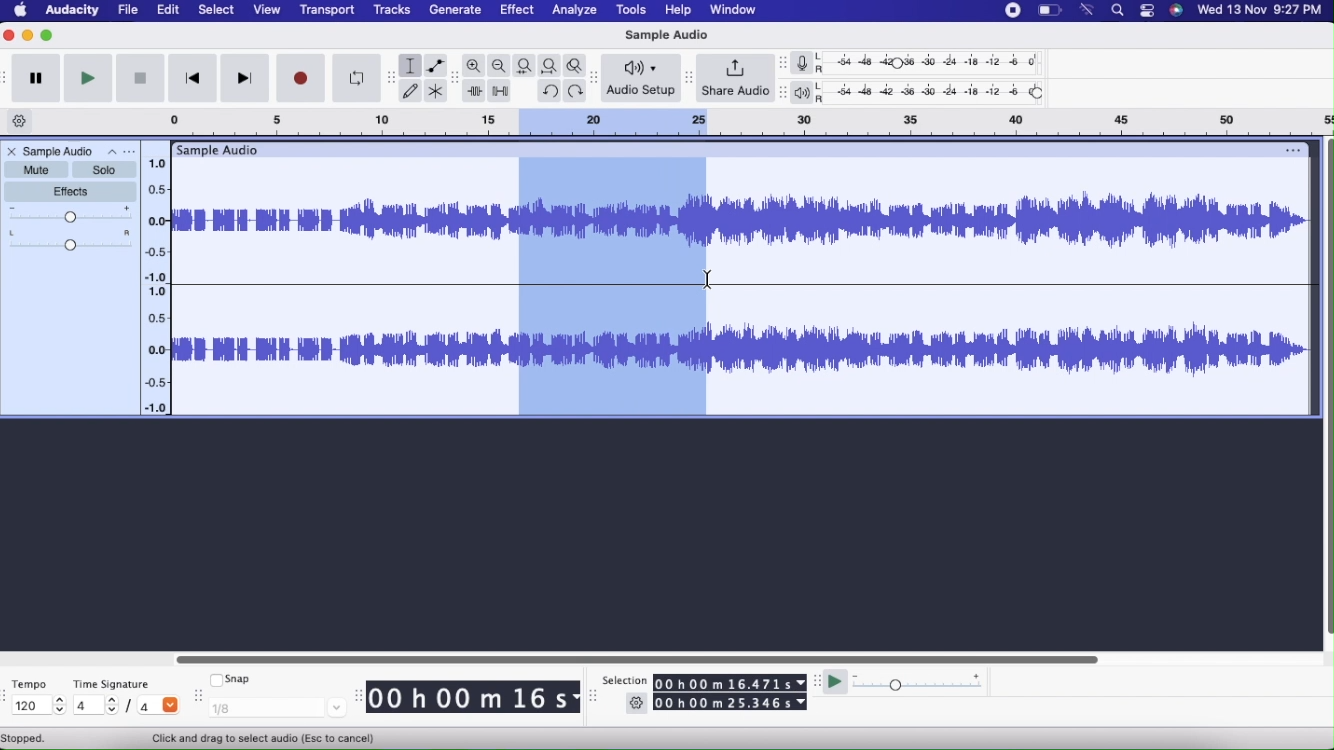 The image size is (1334, 750). I want to click on Solo, so click(104, 170).